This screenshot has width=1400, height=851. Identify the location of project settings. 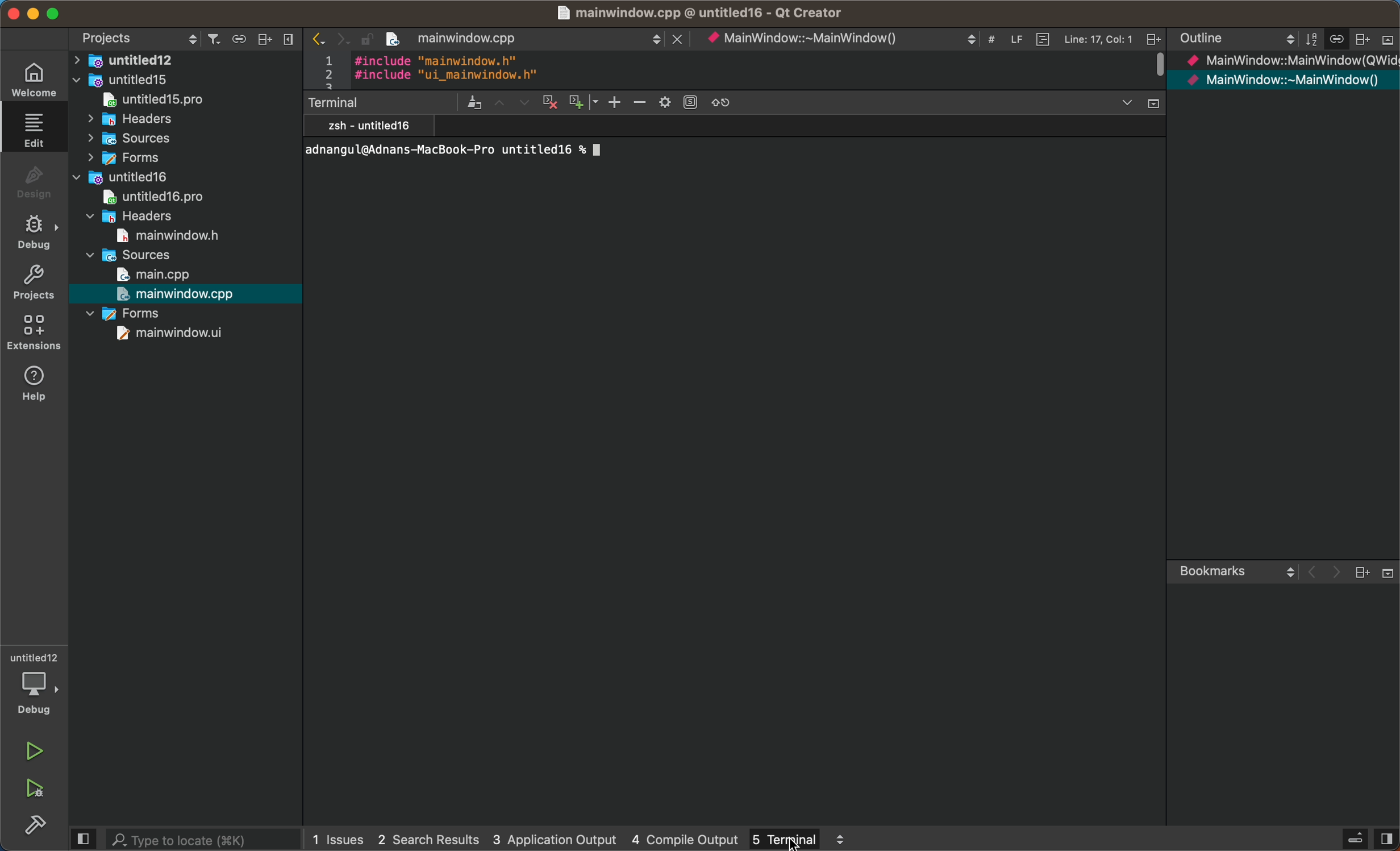
(135, 37).